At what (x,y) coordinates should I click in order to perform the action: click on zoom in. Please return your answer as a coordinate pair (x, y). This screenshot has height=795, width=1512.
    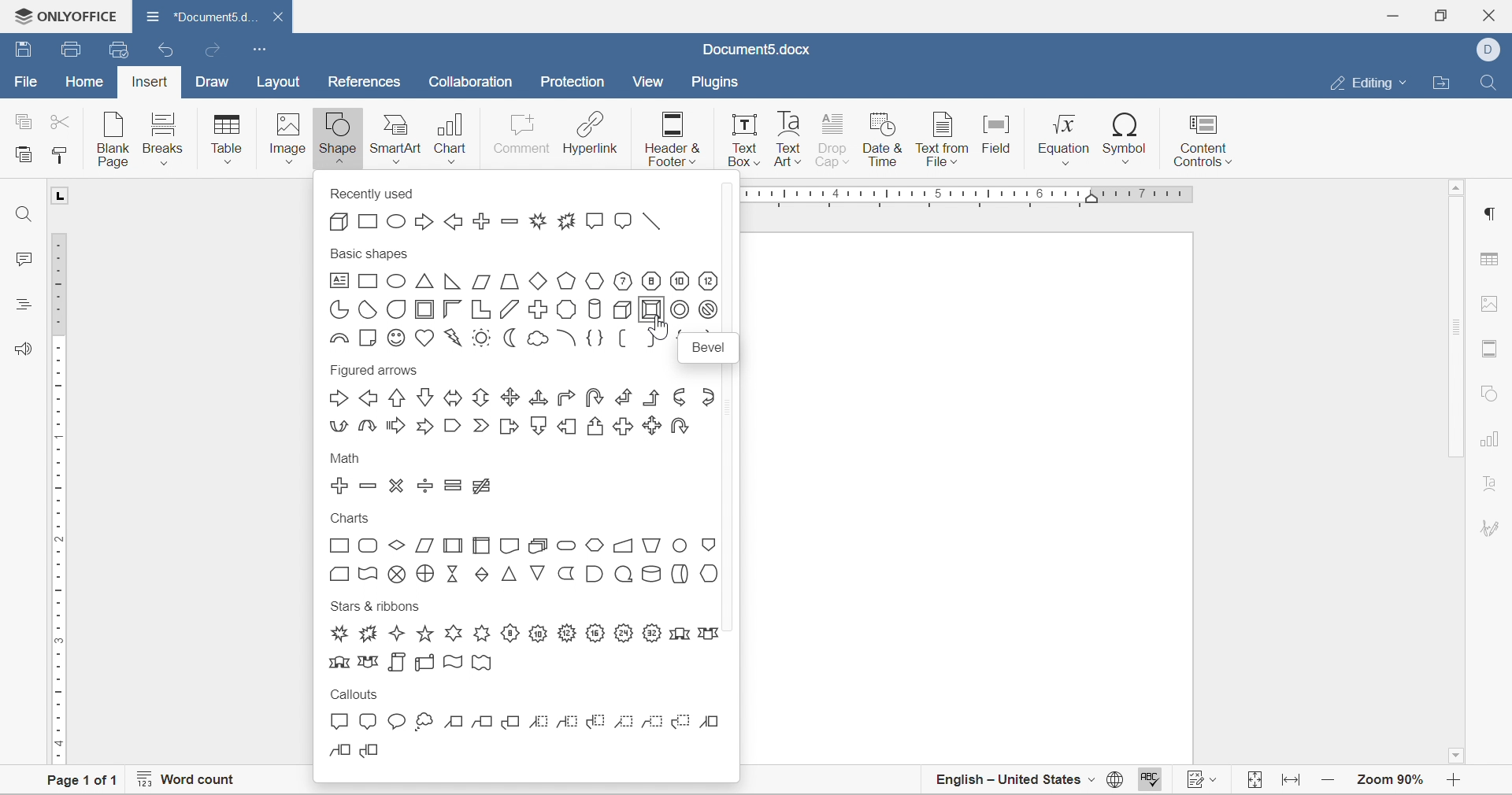
    Looking at the image, I should click on (1453, 782).